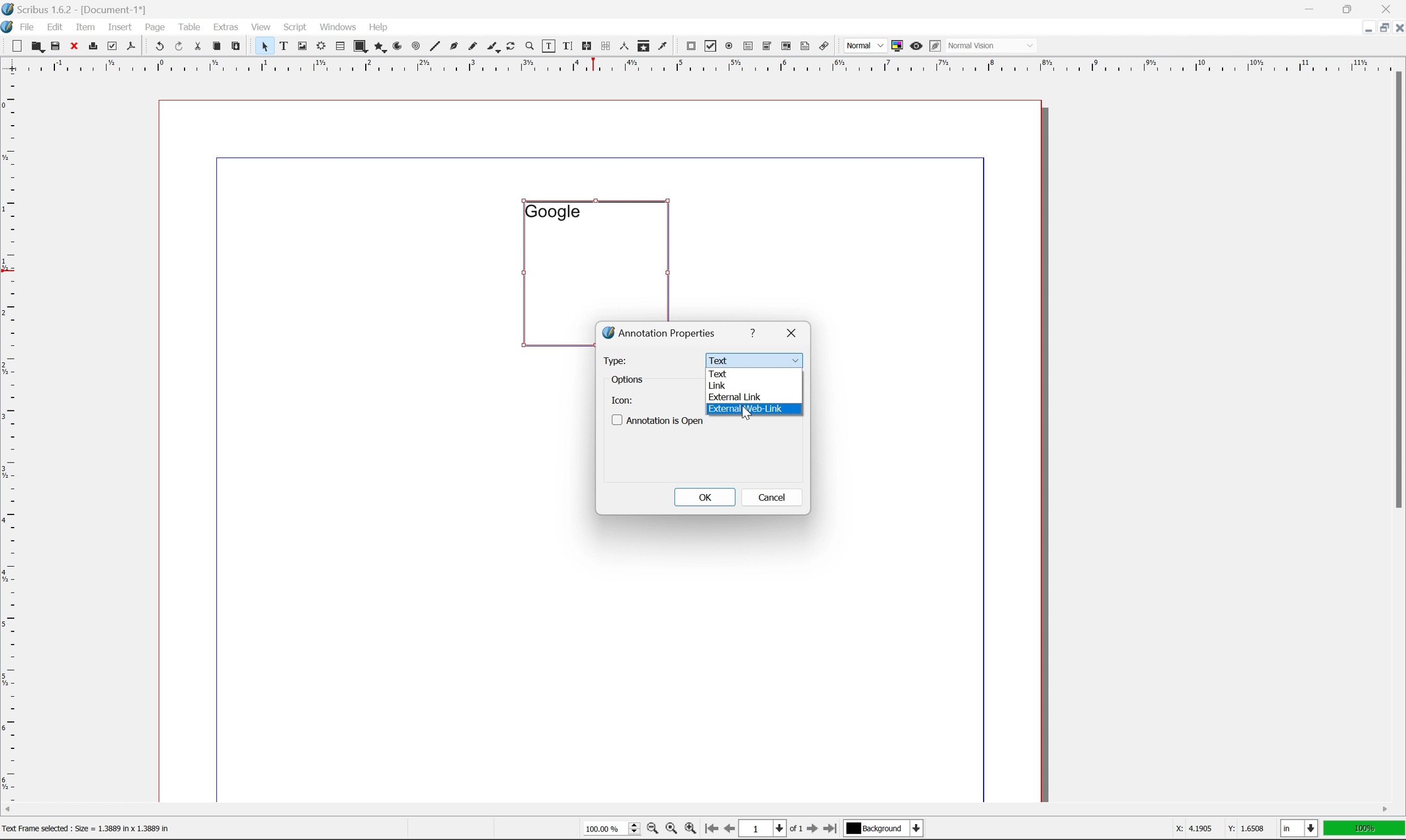 The width and height of the screenshot is (1406, 840). I want to click on select current page, so click(770, 830).